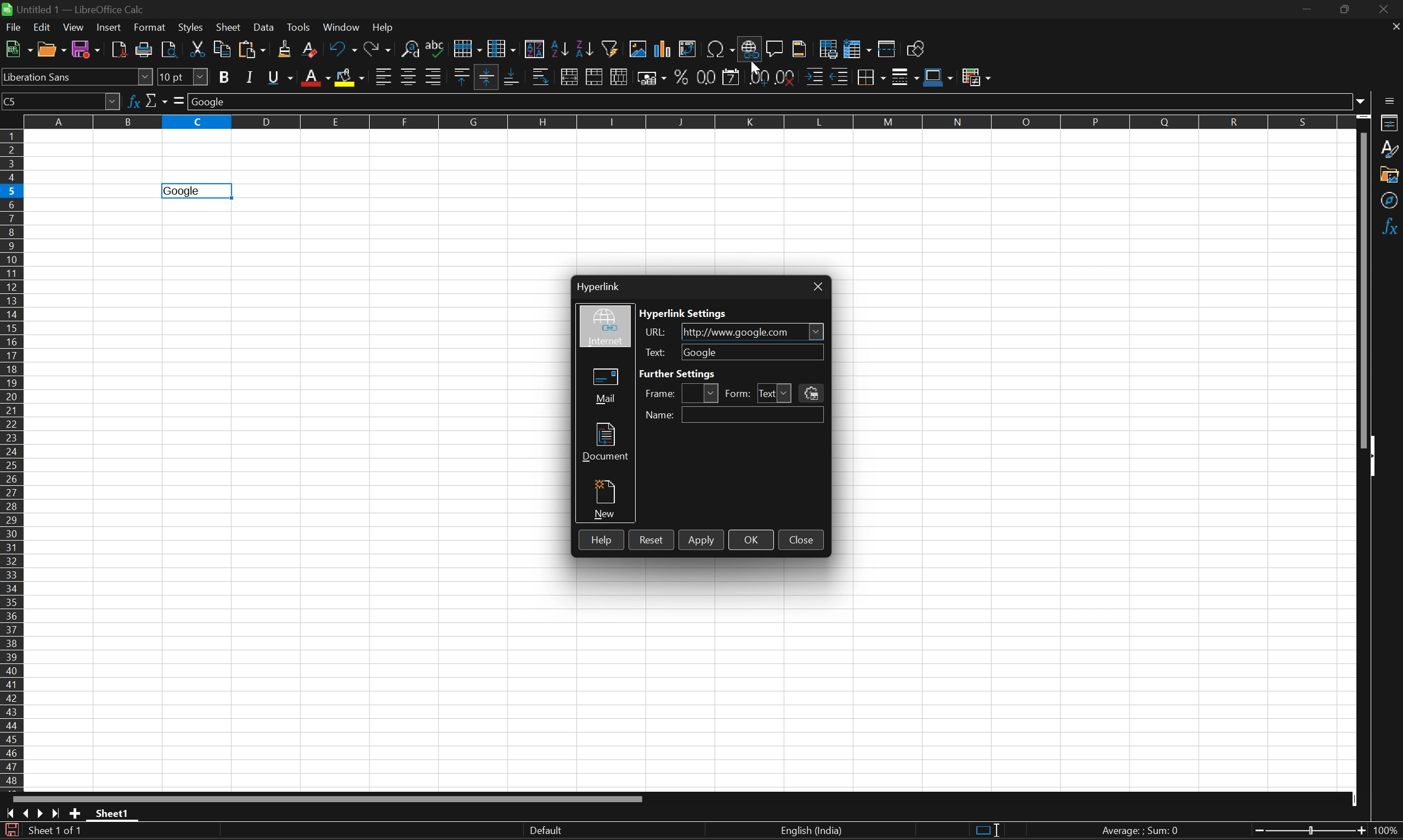 The image size is (1403, 840). I want to click on Close, so click(817, 287).